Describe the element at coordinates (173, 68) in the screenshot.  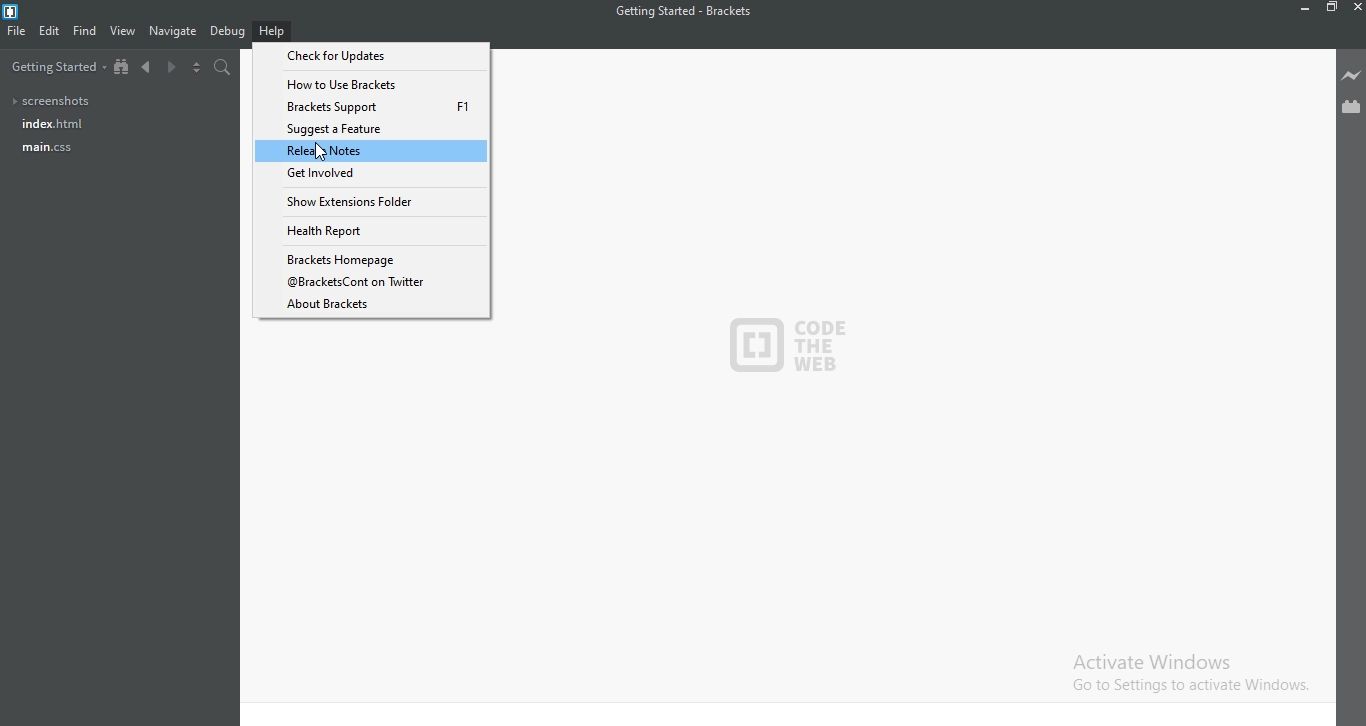
I see `Next document` at that location.